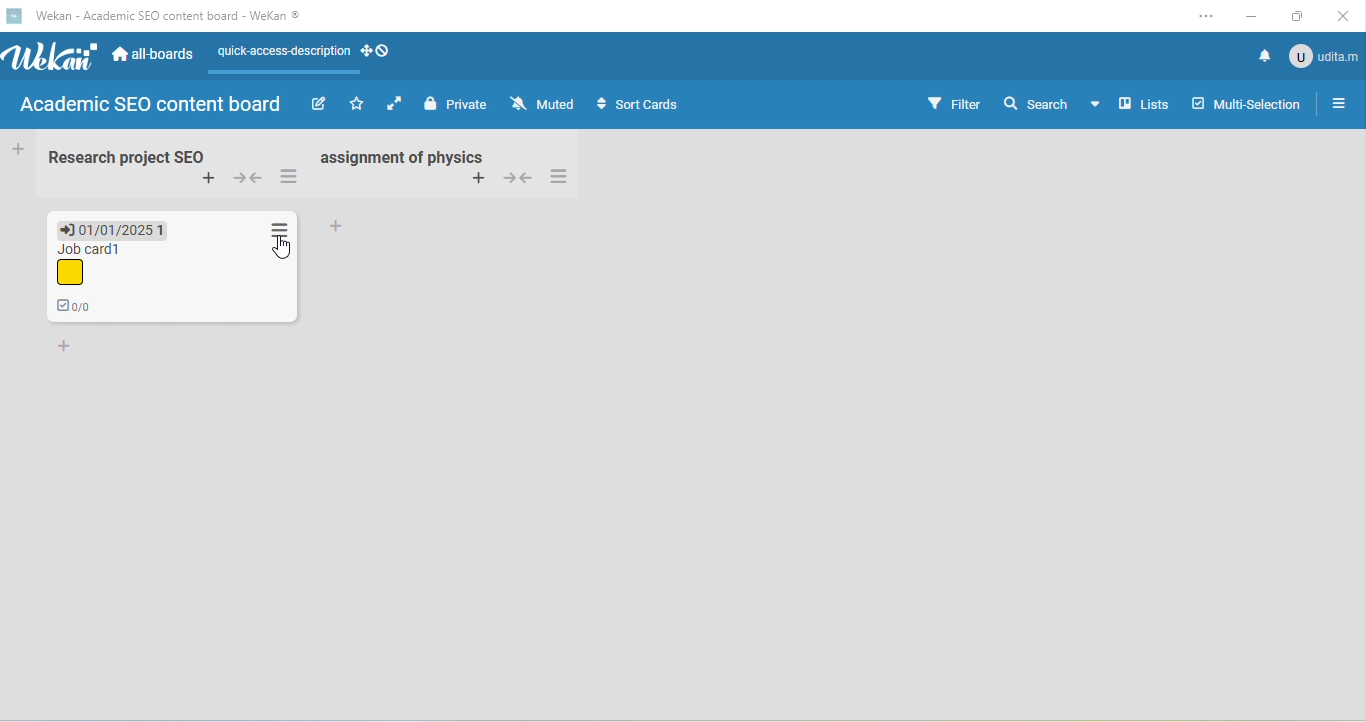 The width and height of the screenshot is (1366, 722). I want to click on show desktop drag handle, so click(379, 52).